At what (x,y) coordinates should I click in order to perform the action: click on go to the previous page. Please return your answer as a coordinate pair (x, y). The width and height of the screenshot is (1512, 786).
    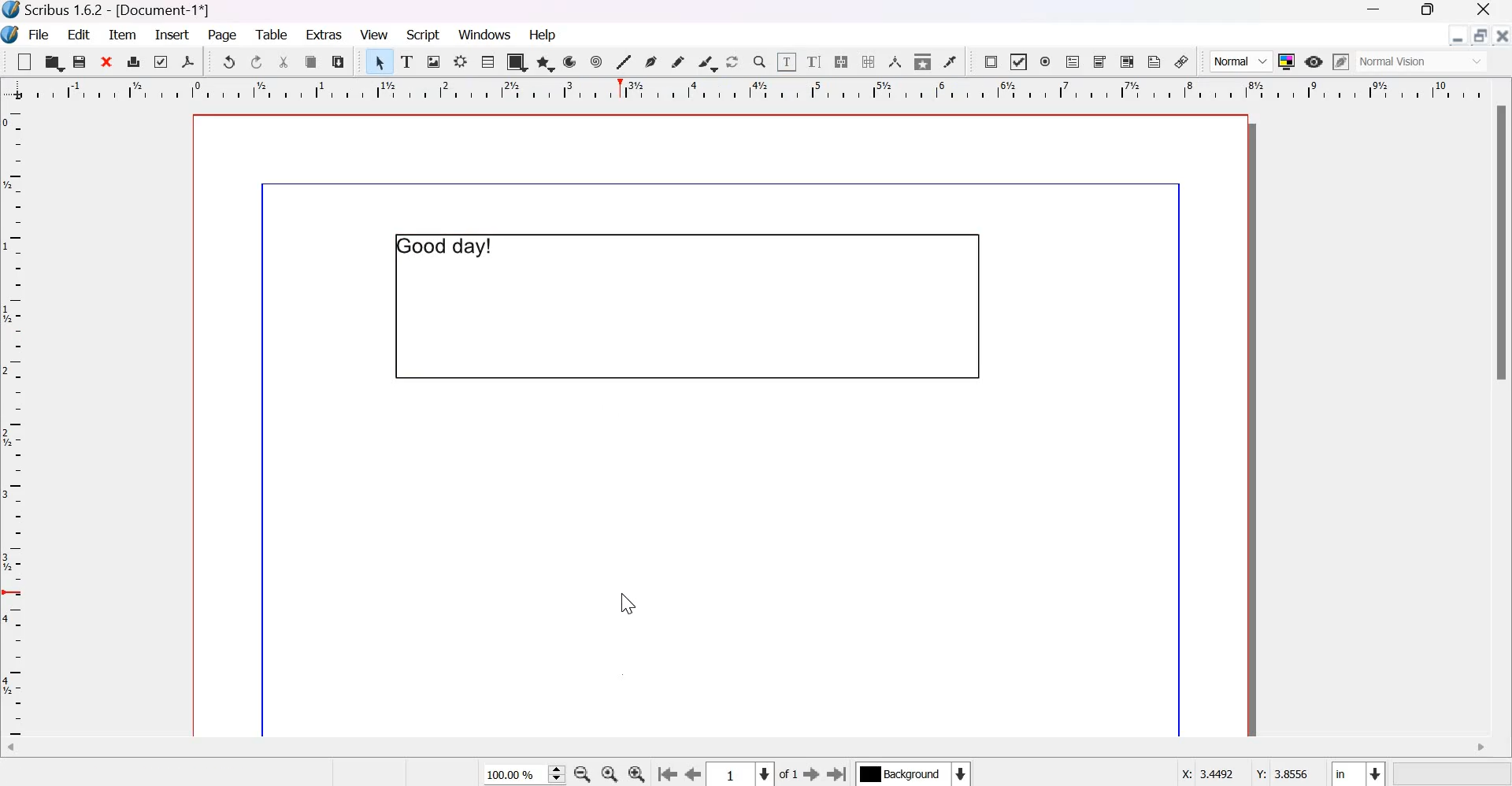
    Looking at the image, I should click on (694, 775).